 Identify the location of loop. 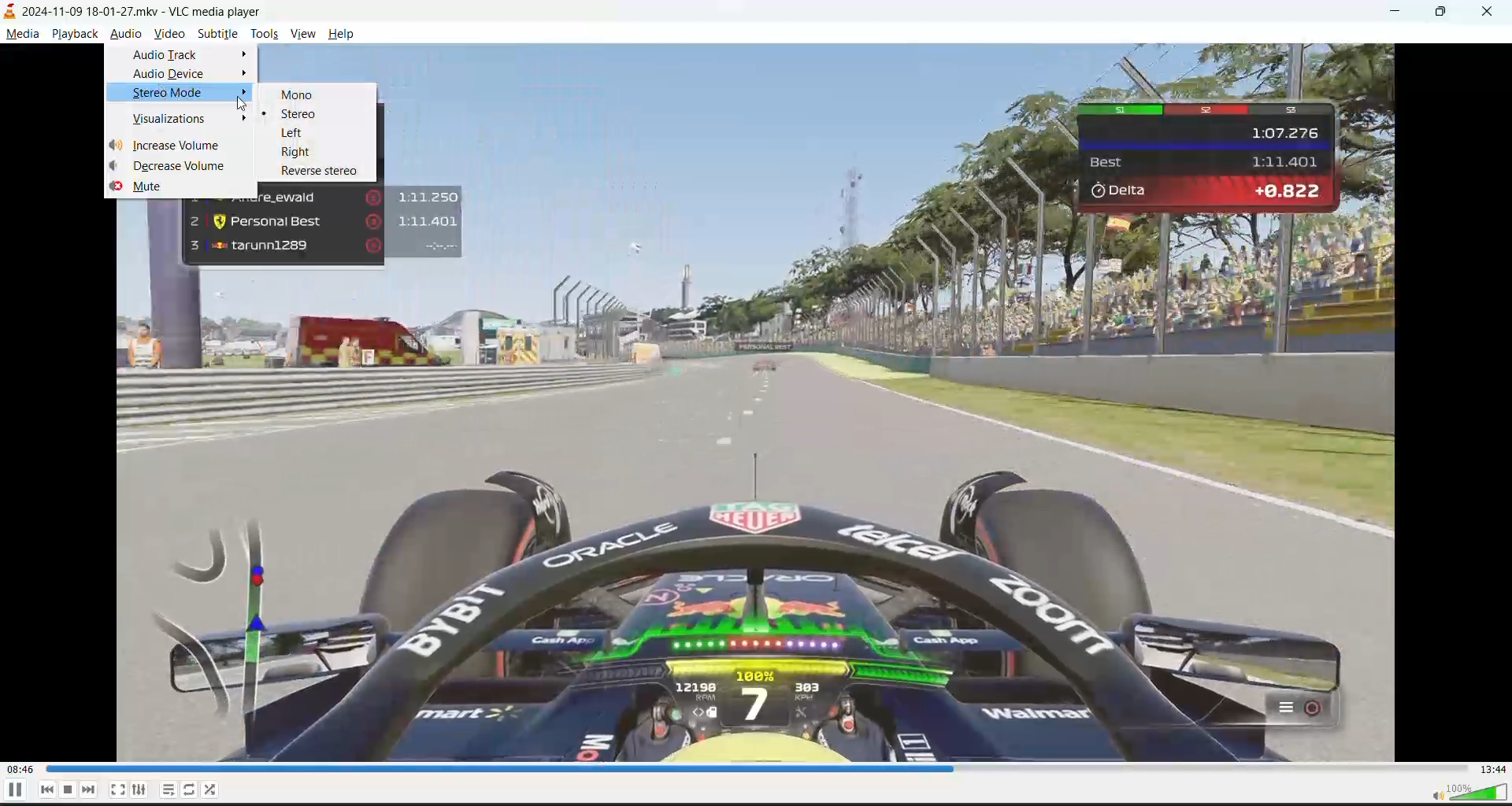
(193, 788).